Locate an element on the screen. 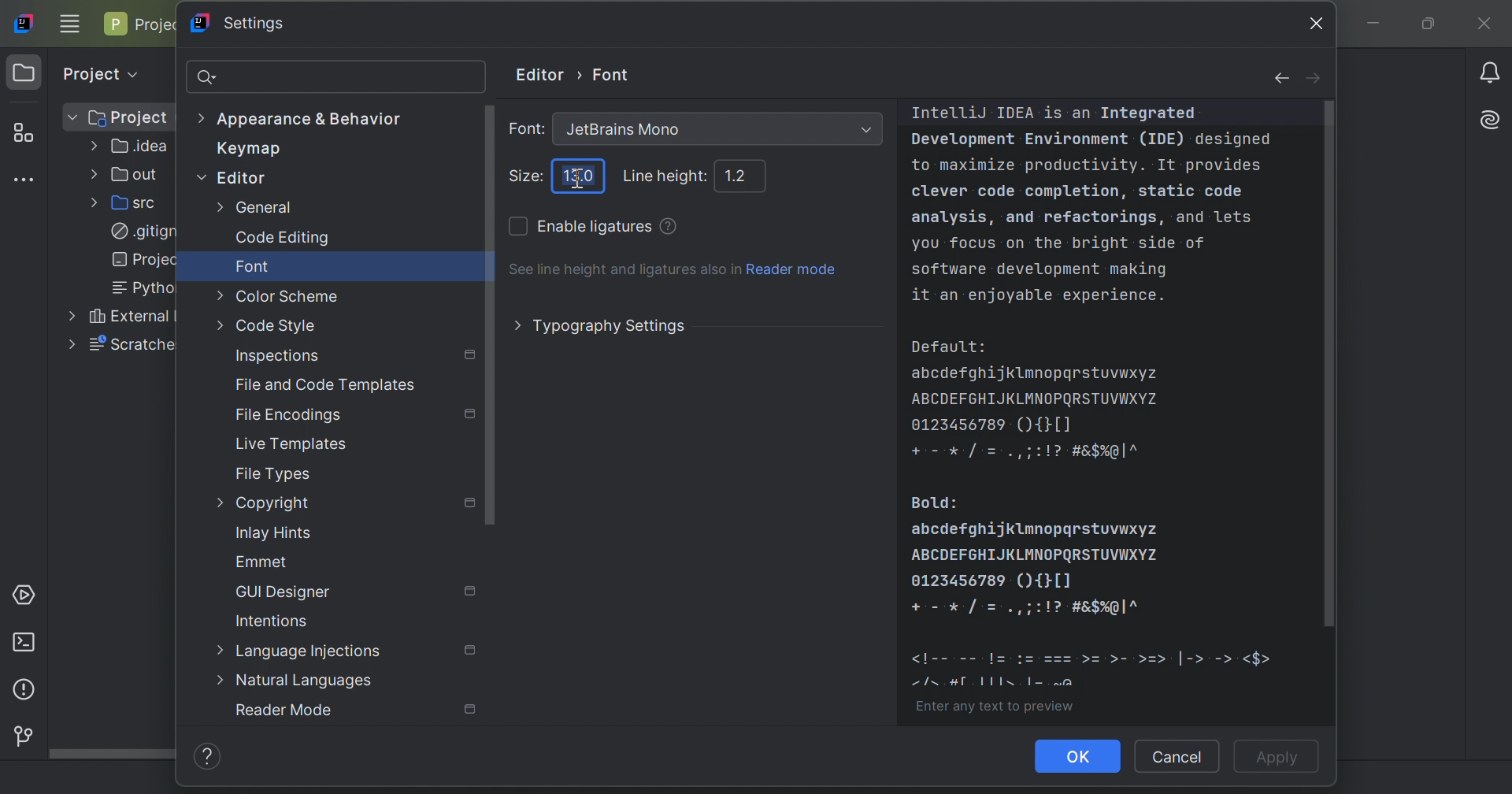 The width and height of the screenshot is (1512, 794). Settings marked with this icon are only applied to the current project. Non-marked settings are applied to all projects. is located at coordinates (472, 651).